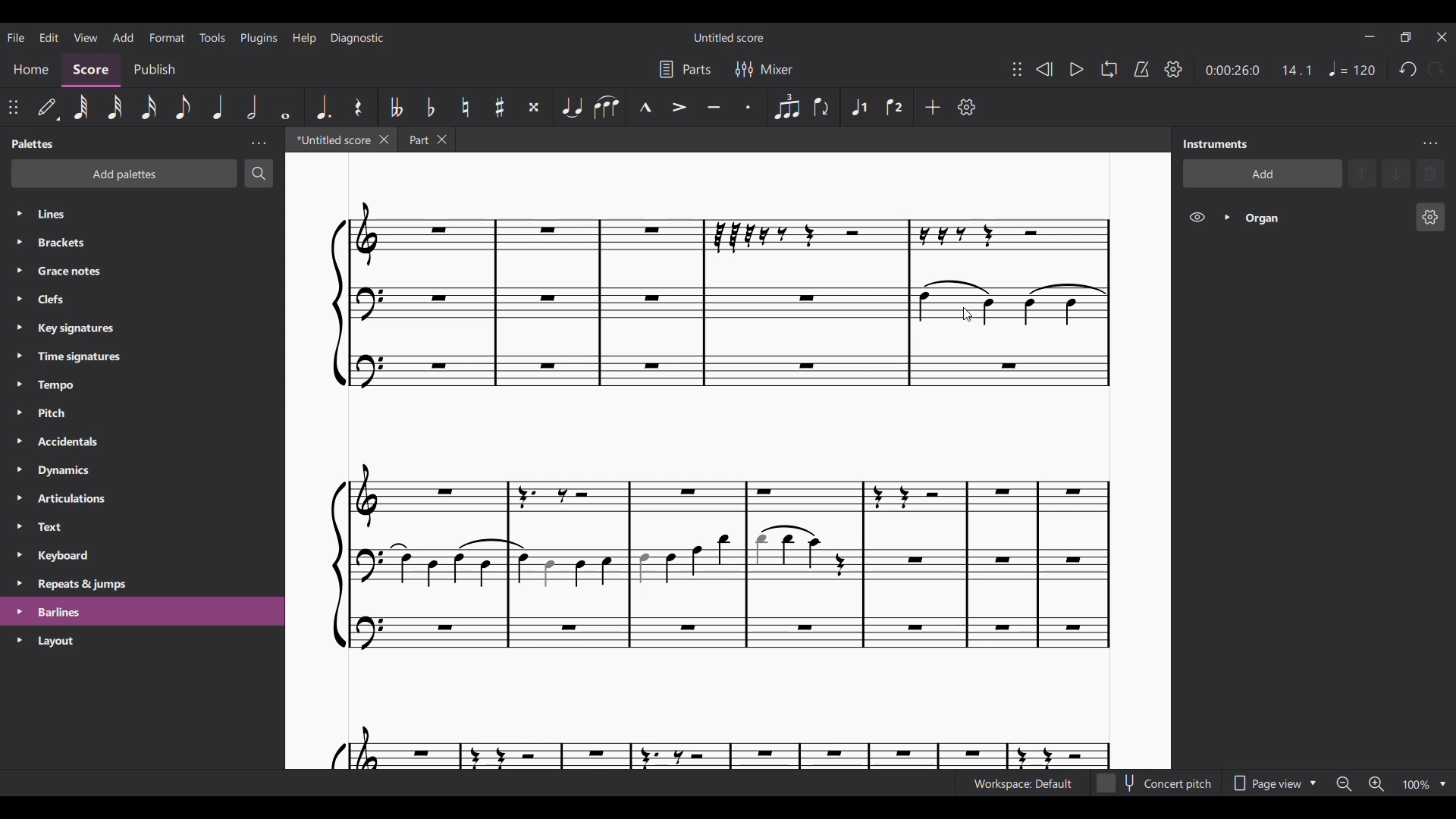 The height and width of the screenshot is (819, 1456). I want to click on Staccato , so click(749, 108).